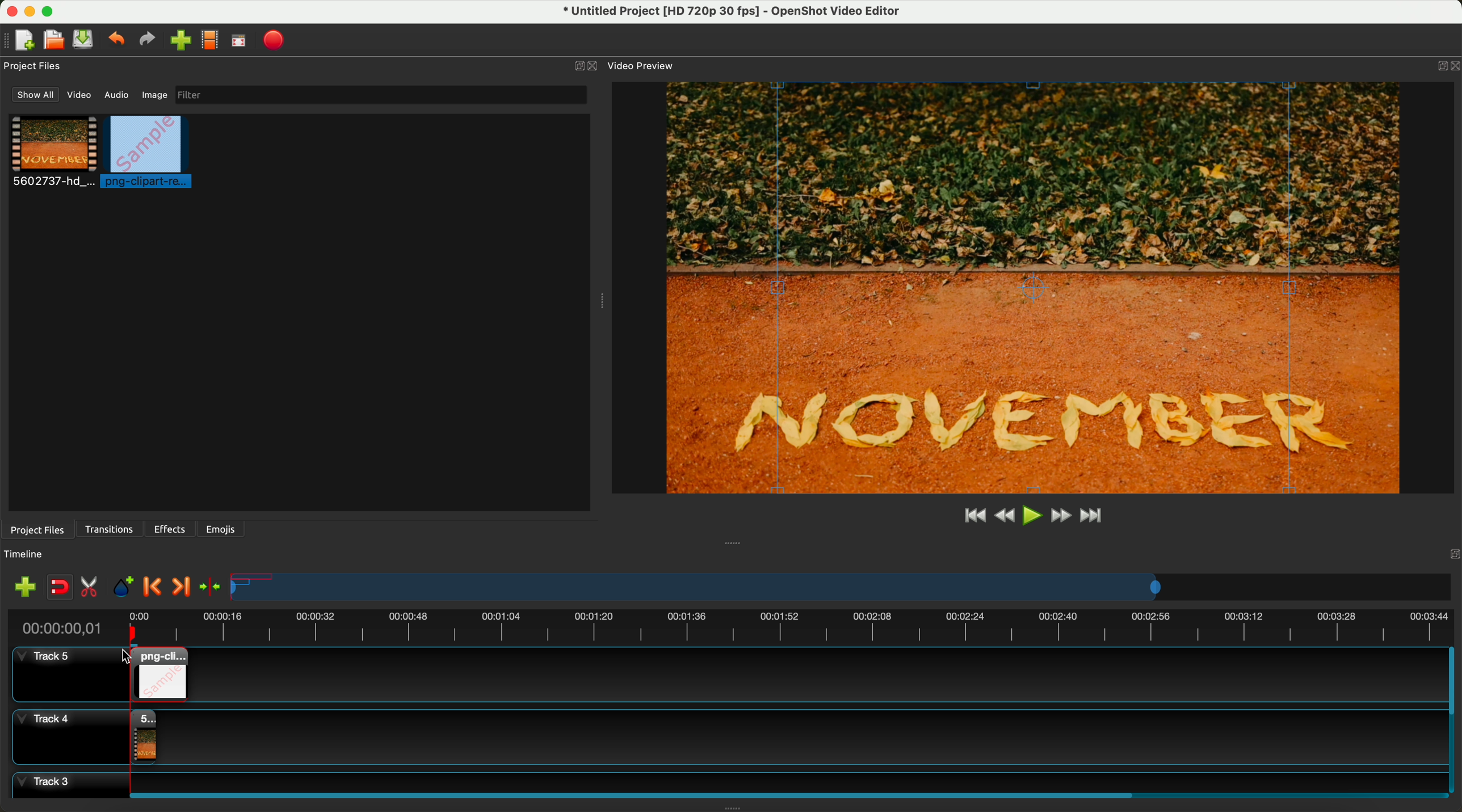 The height and width of the screenshot is (812, 1462). I want to click on project files, so click(34, 66).